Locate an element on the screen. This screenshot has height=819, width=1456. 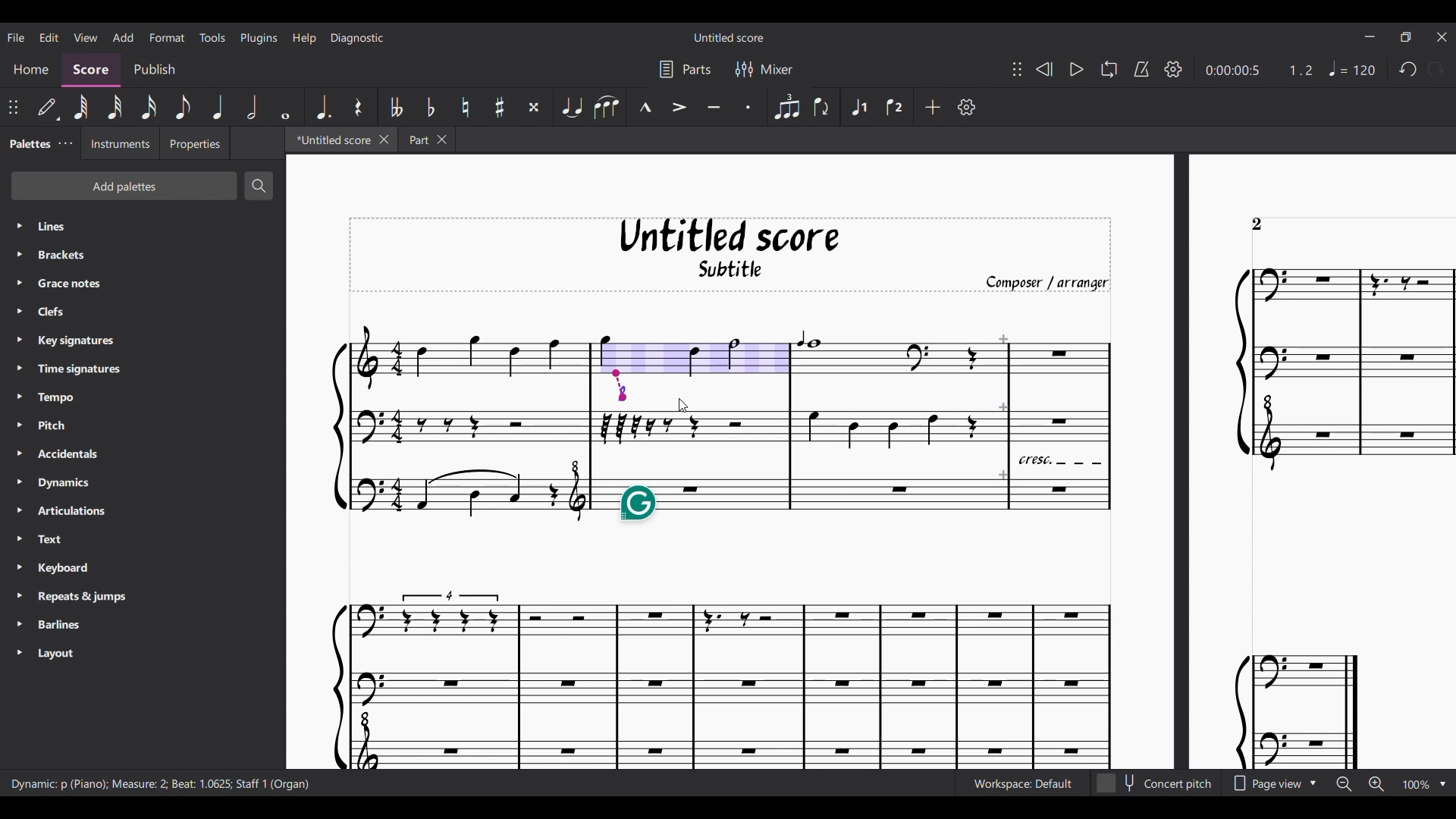
Zoom in is located at coordinates (1376, 784).